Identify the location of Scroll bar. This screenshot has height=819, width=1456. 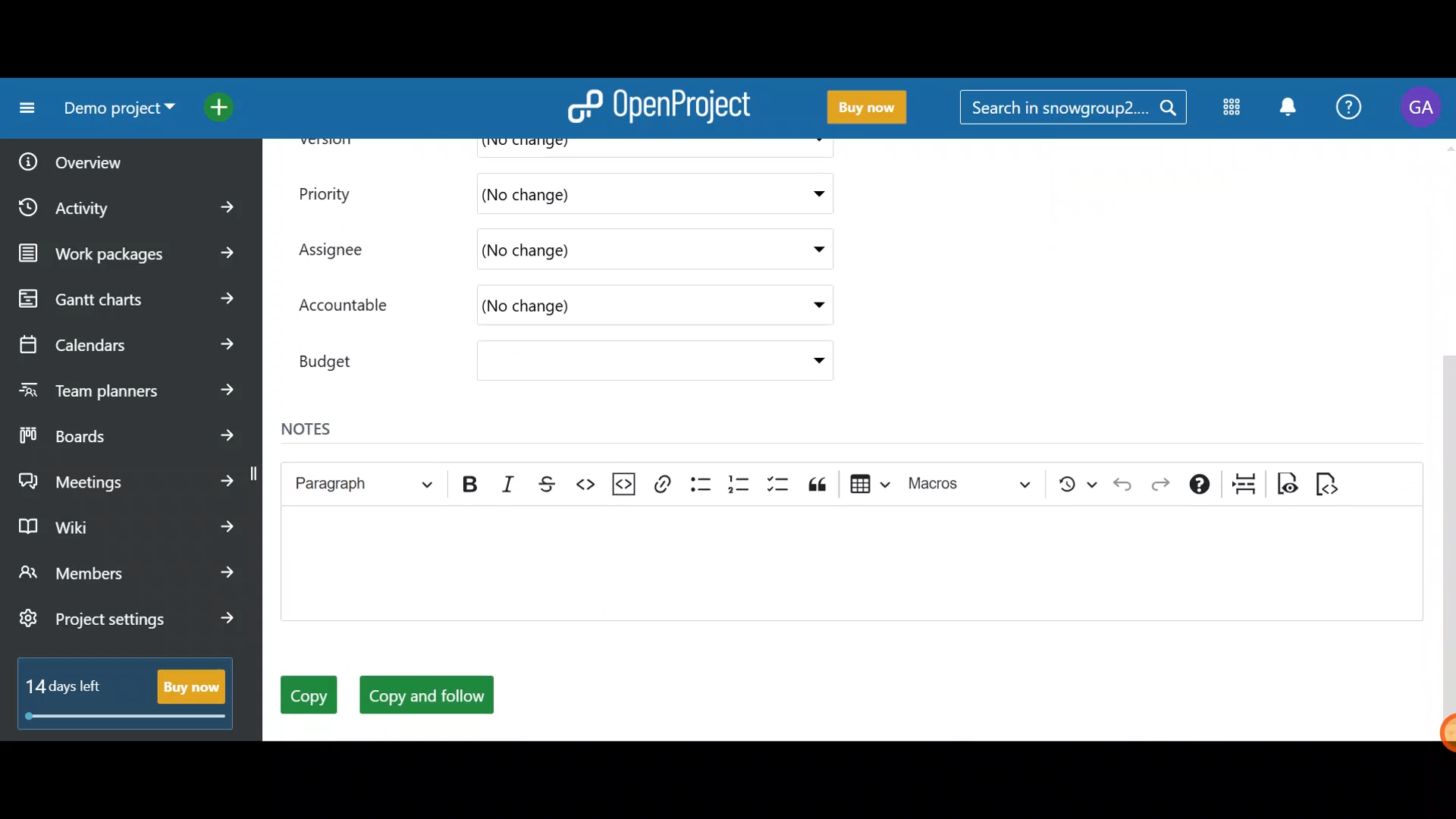
(1447, 438).